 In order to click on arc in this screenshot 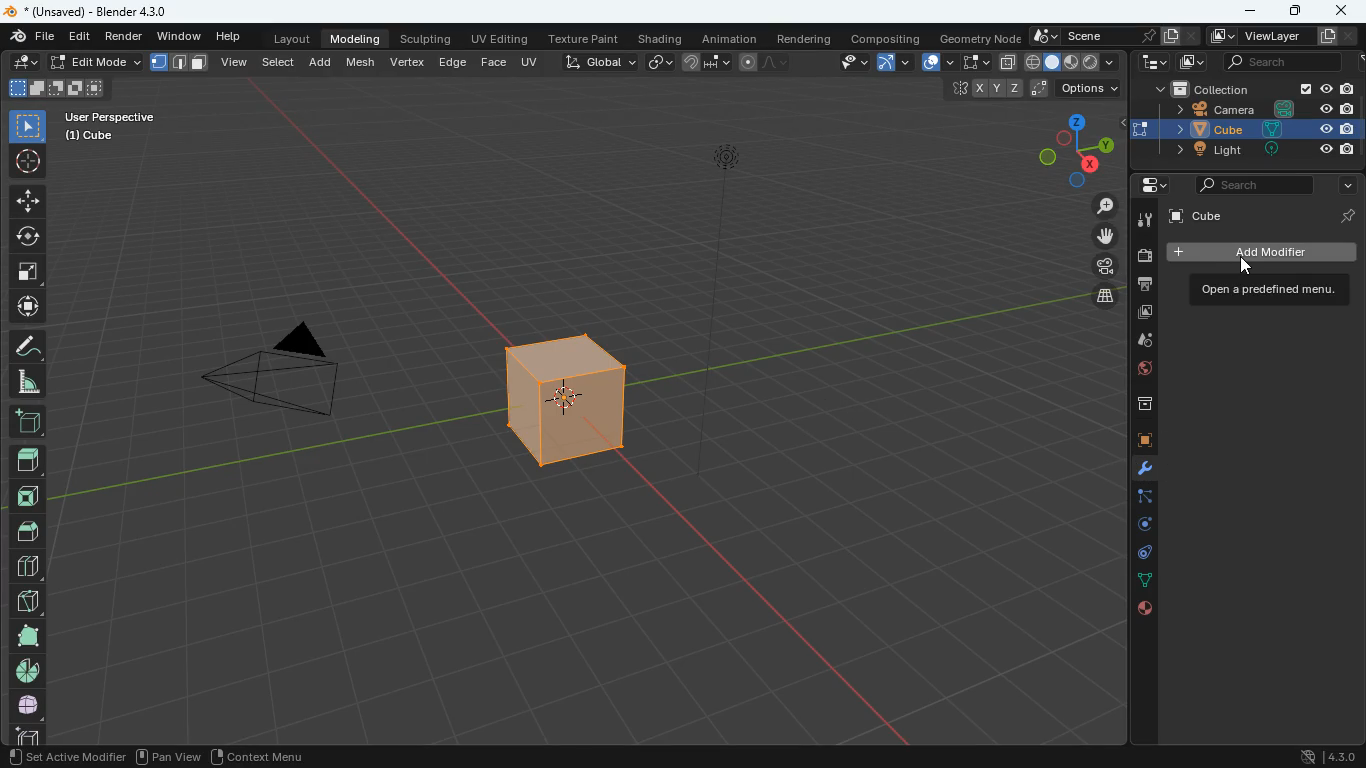, I will do `click(892, 64)`.